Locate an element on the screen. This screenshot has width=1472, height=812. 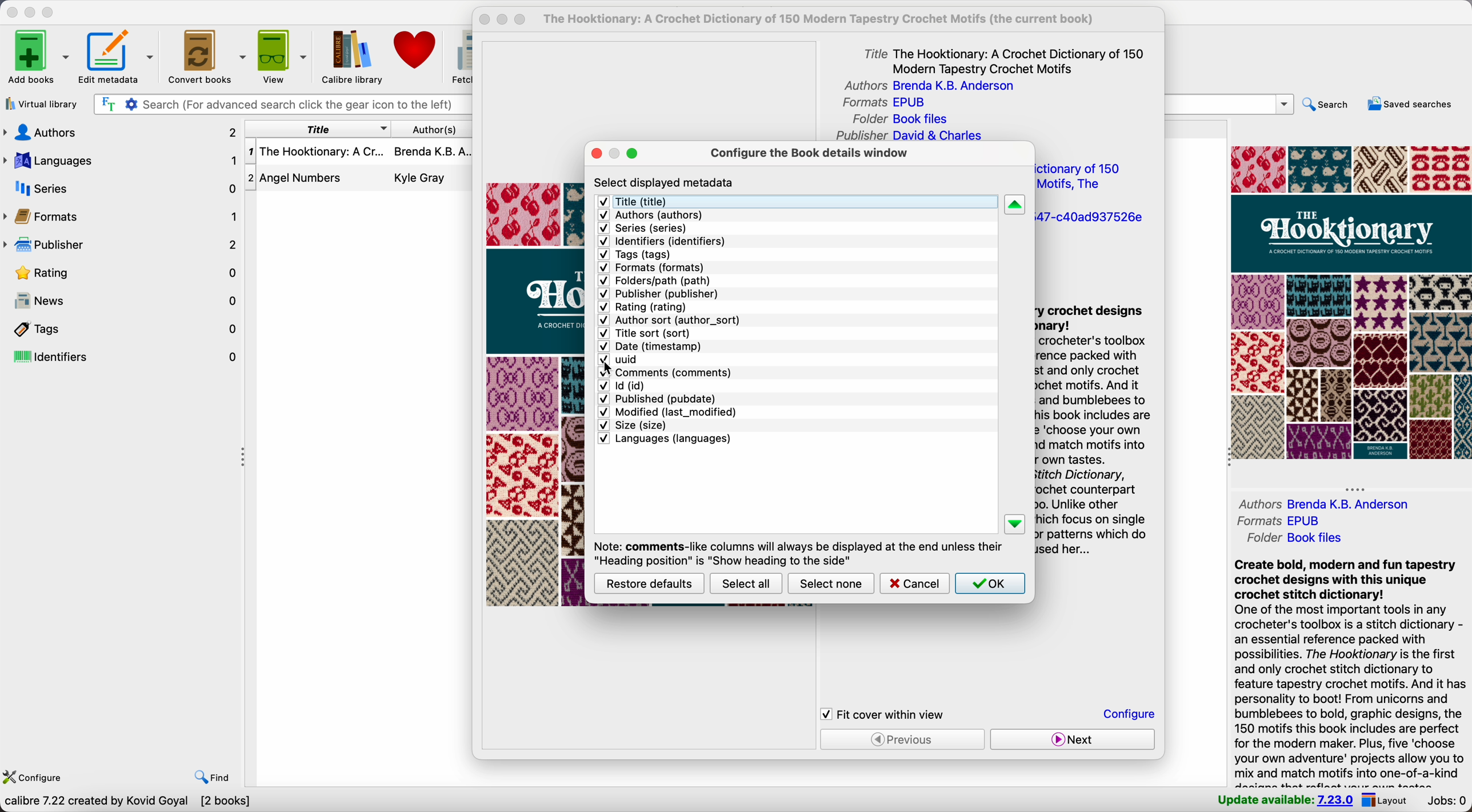
book cover preview is located at coordinates (1350, 302).